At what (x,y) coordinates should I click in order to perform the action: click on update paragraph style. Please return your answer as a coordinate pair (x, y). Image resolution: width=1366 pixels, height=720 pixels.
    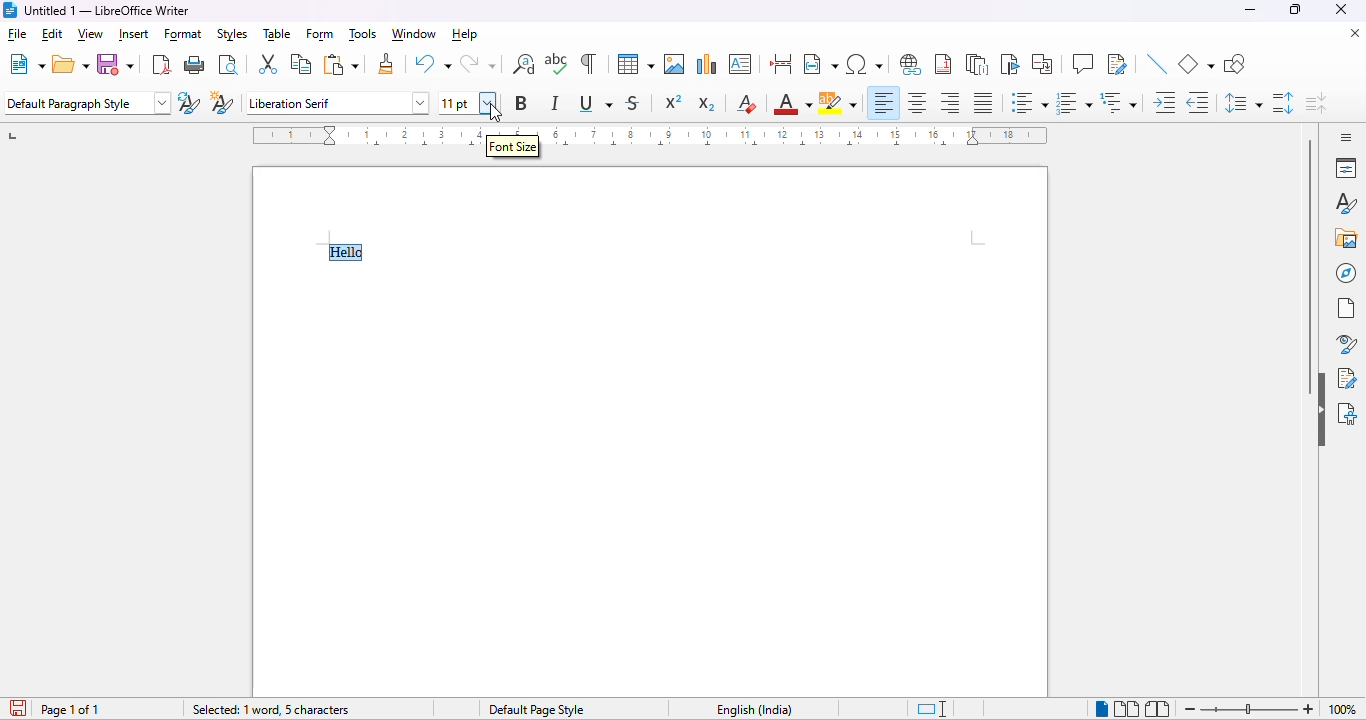
    Looking at the image, I should click on (189, 102).